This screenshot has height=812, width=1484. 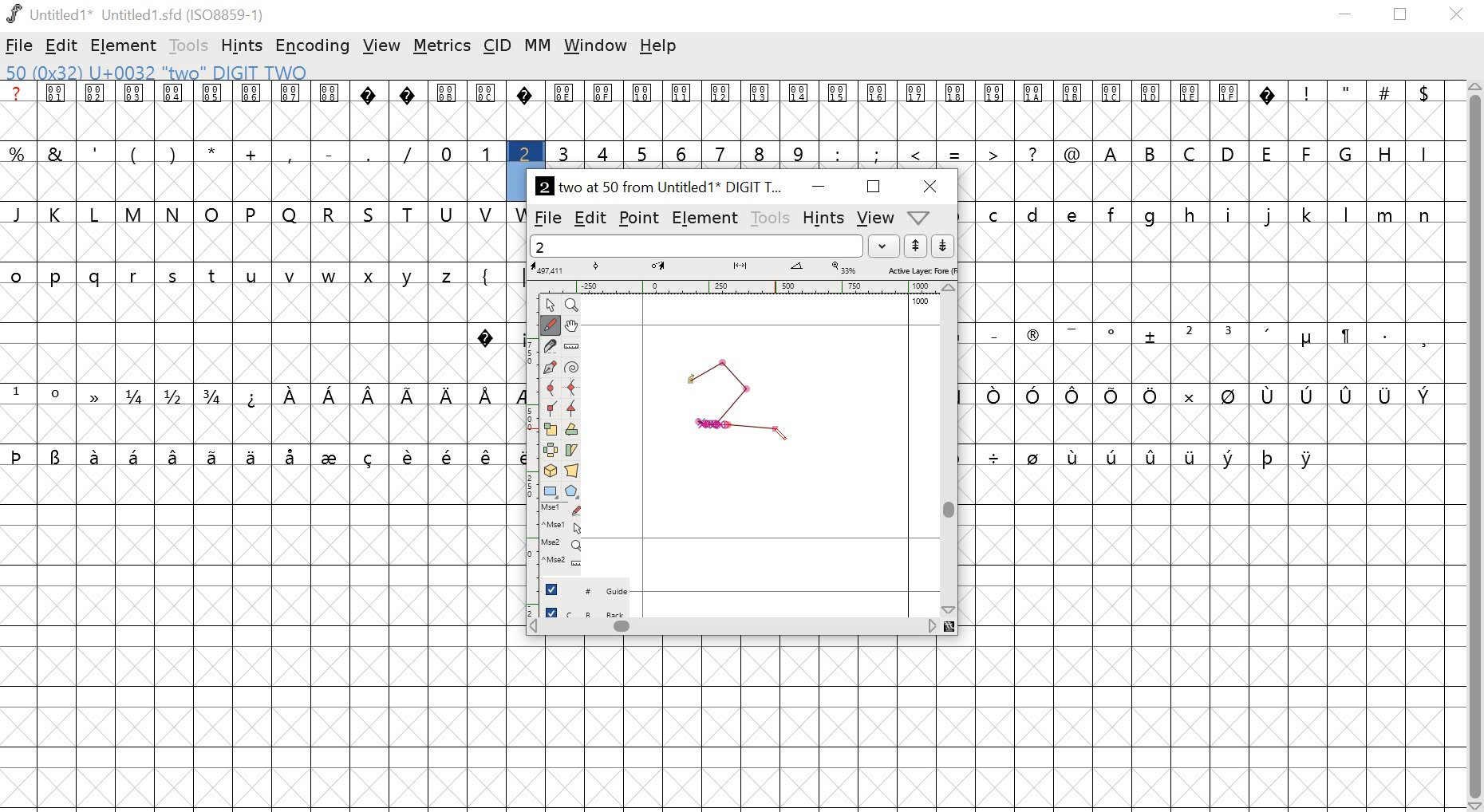 I want to click on tangent, so click(x=572, y=409).